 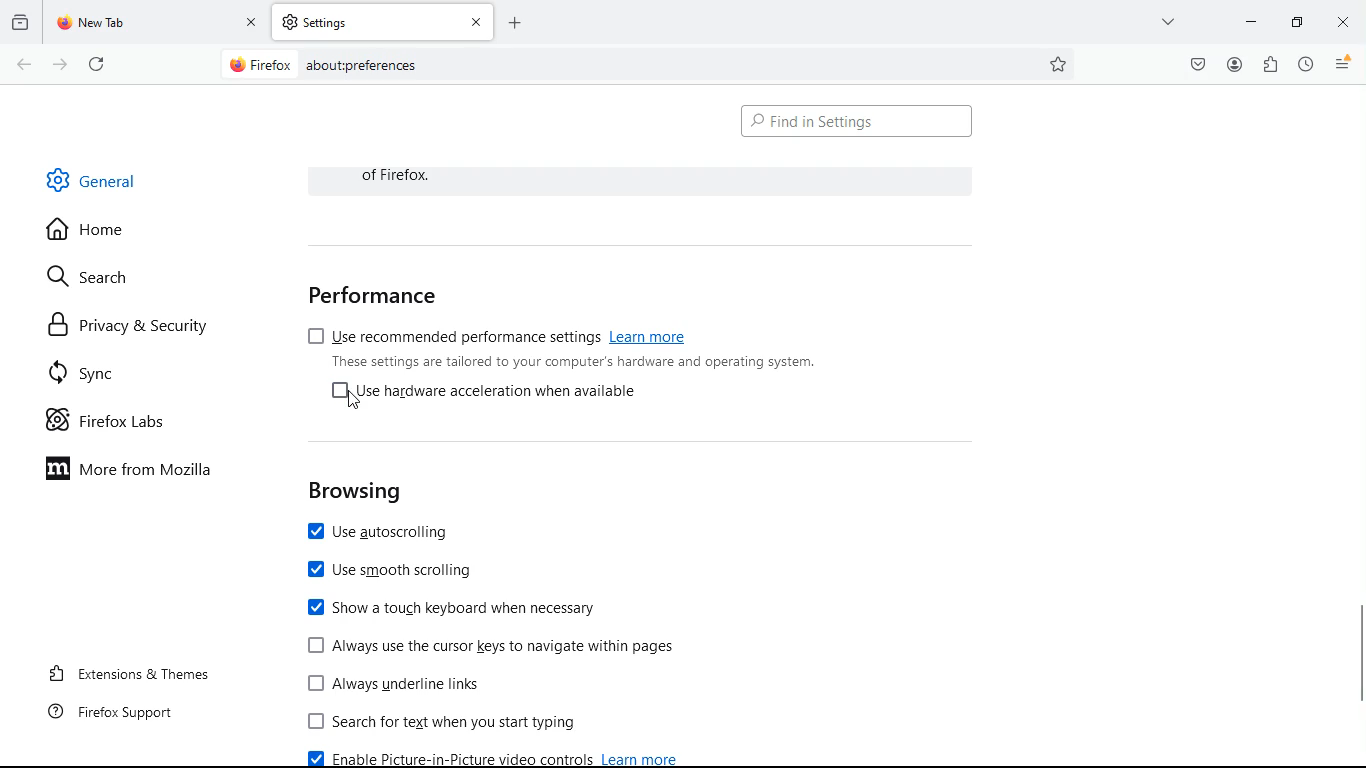 I want to click on enable picture-in-picture video control learn more, so click(x=499, y=756).